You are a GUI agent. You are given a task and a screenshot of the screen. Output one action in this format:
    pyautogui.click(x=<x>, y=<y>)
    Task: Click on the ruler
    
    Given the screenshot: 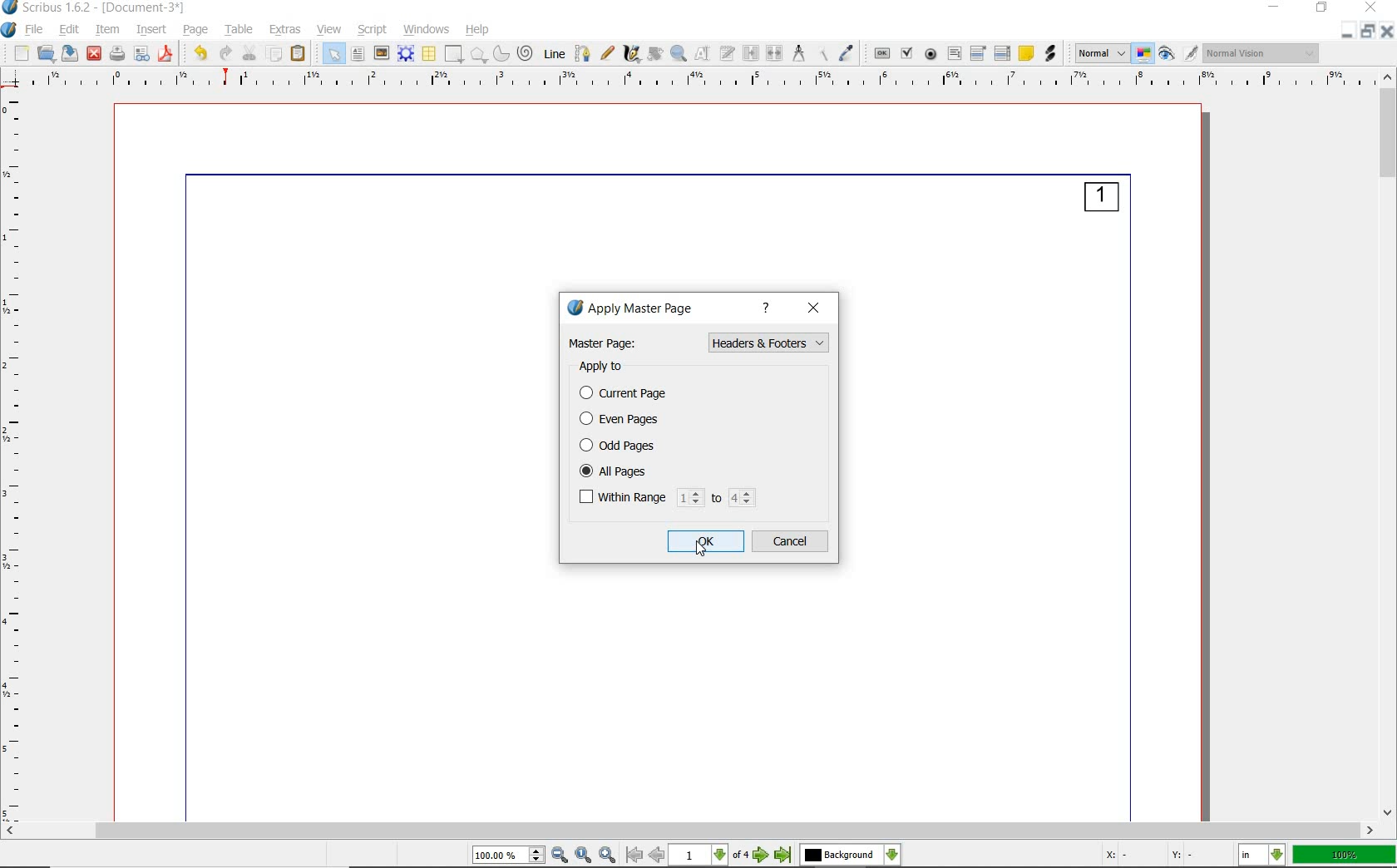 What is the action you would take?
    pyautogui.click(x=20, y=457)
    